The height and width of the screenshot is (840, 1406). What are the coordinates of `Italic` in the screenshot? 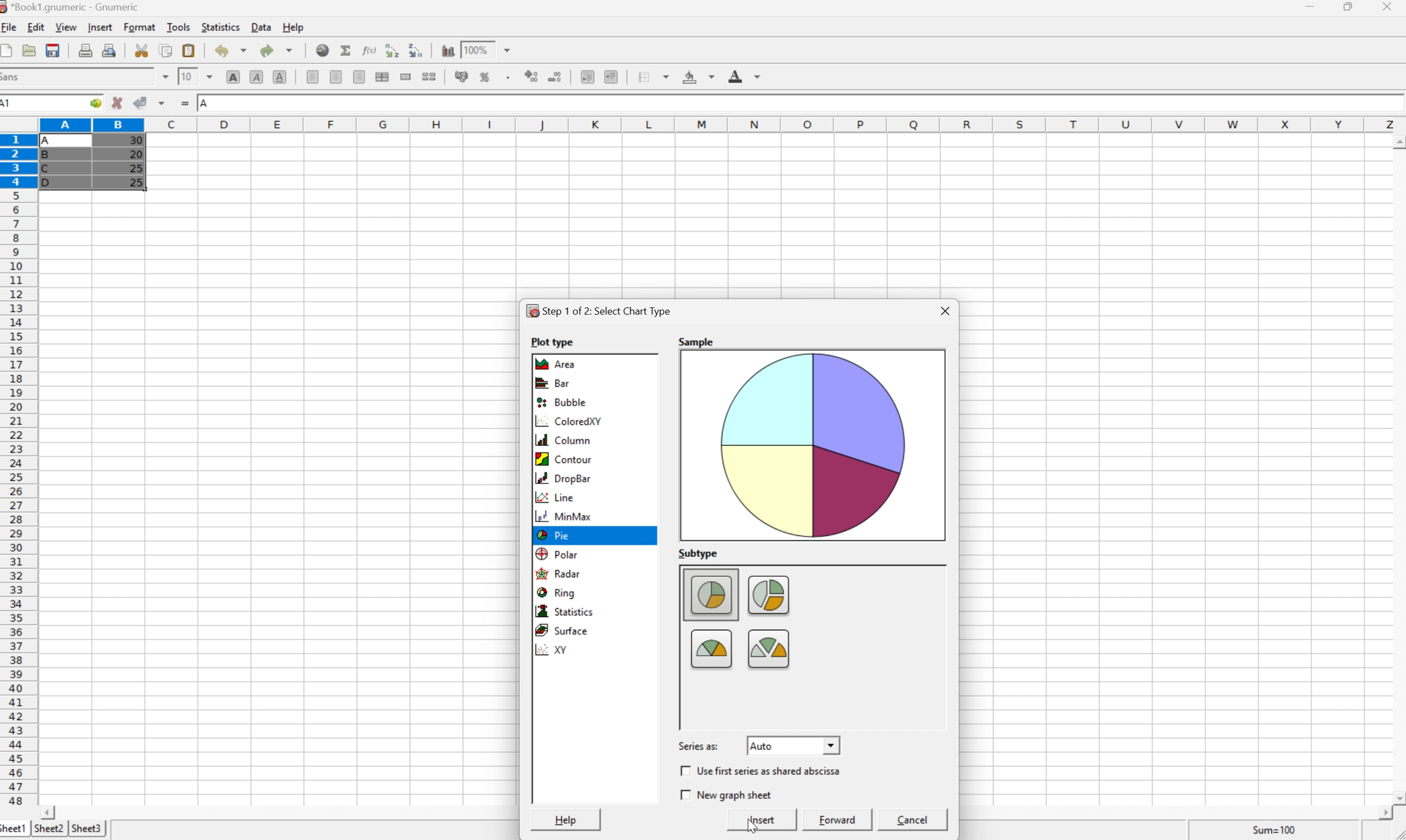 It's located at (257, 76).